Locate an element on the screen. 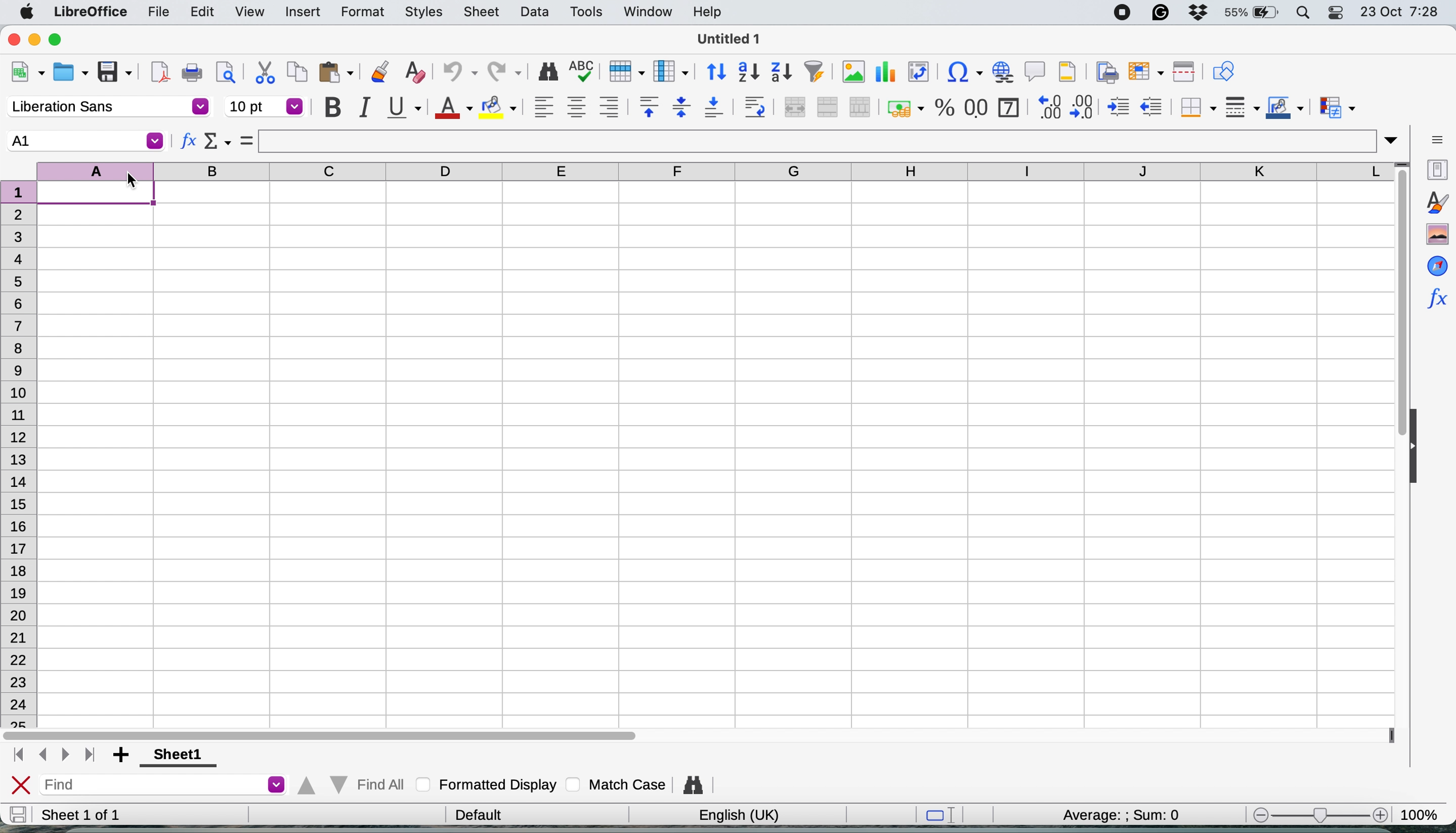 The image size is (1456, 833). system logo is located at coordinates (26, 11).